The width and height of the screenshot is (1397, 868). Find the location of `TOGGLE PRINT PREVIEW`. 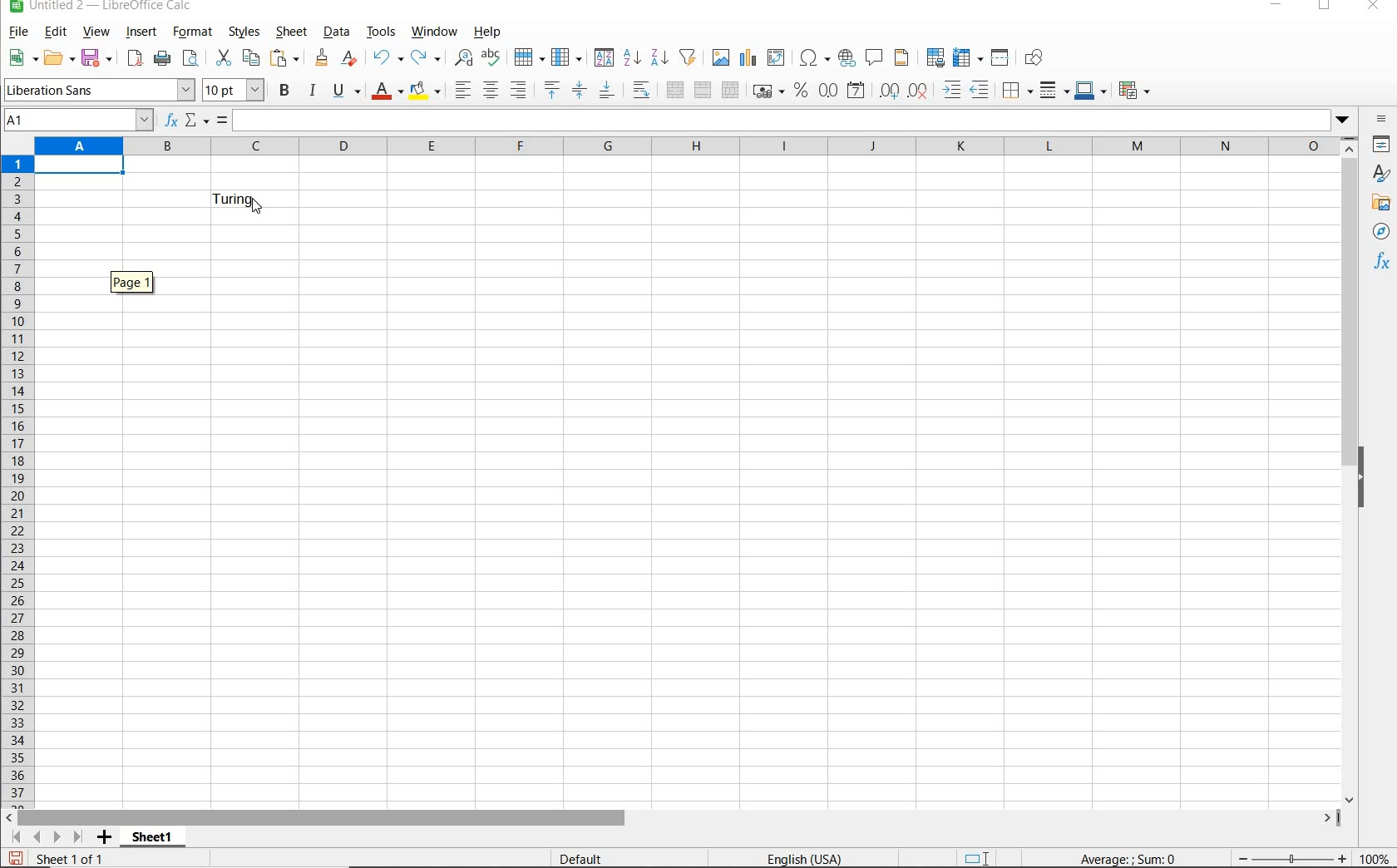

TOGGLE PRINT PREVIEW is located at coordinates (190, 57).